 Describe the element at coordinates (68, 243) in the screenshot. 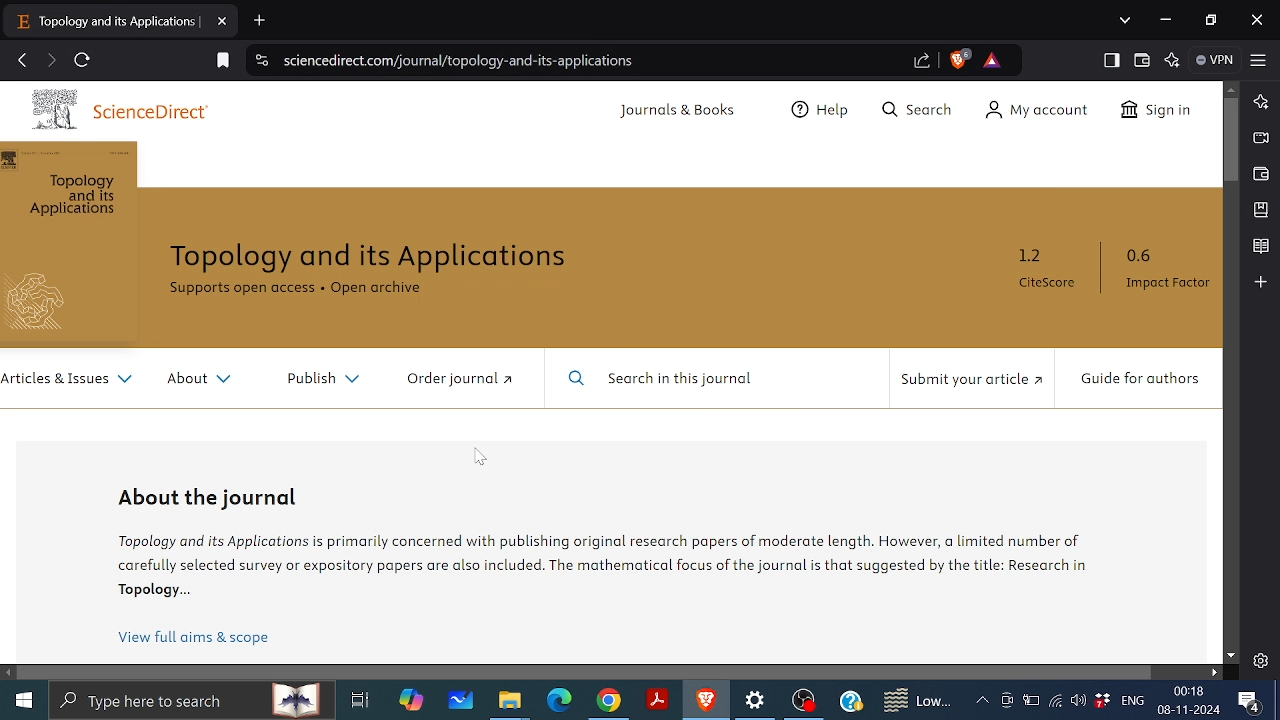

I see `topology and its applications` at that location.